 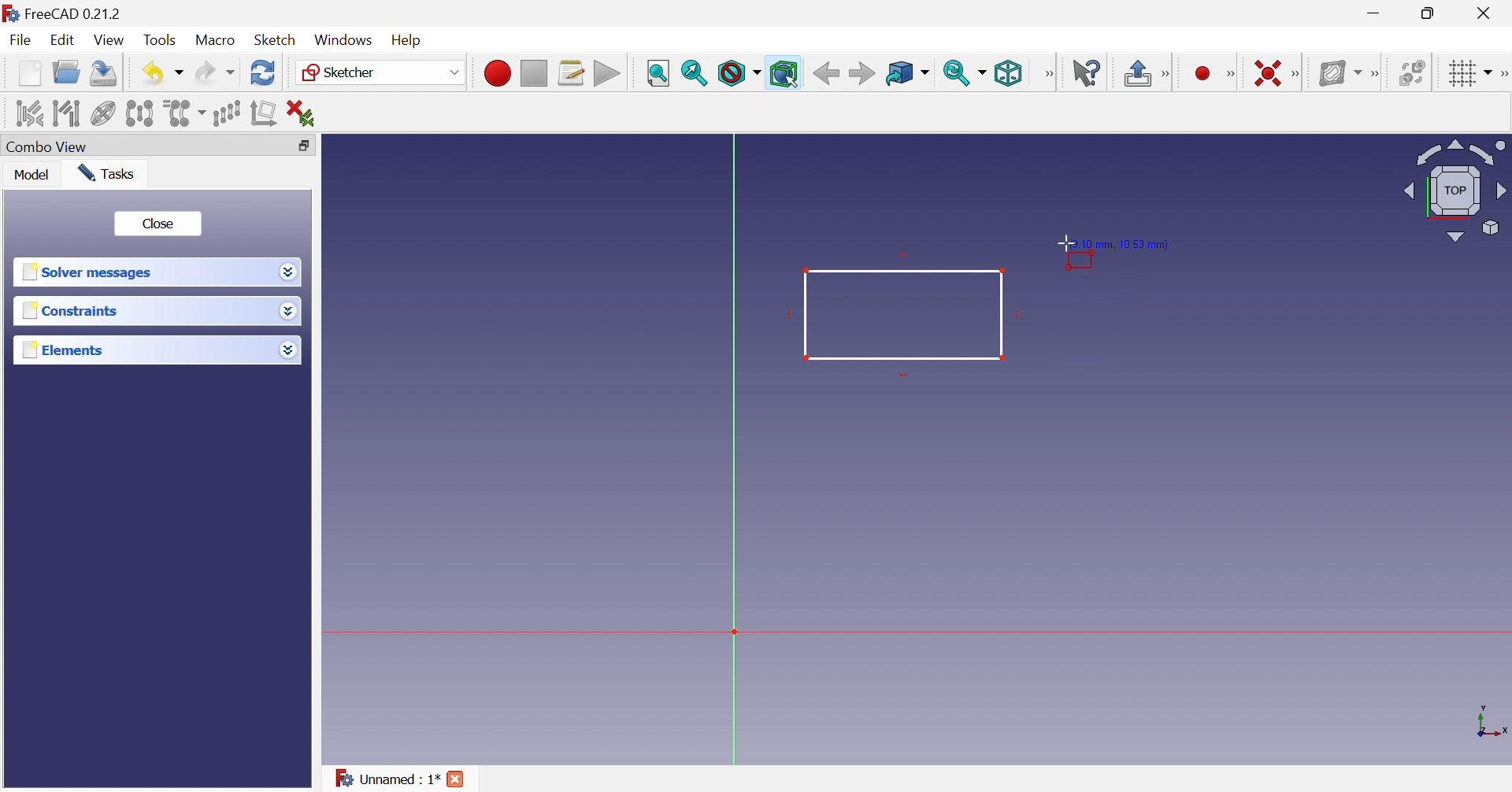 What do you see at coordinates (70, 310) in the screenshot?
I see `Constraints` at bounding box center [70, 310].